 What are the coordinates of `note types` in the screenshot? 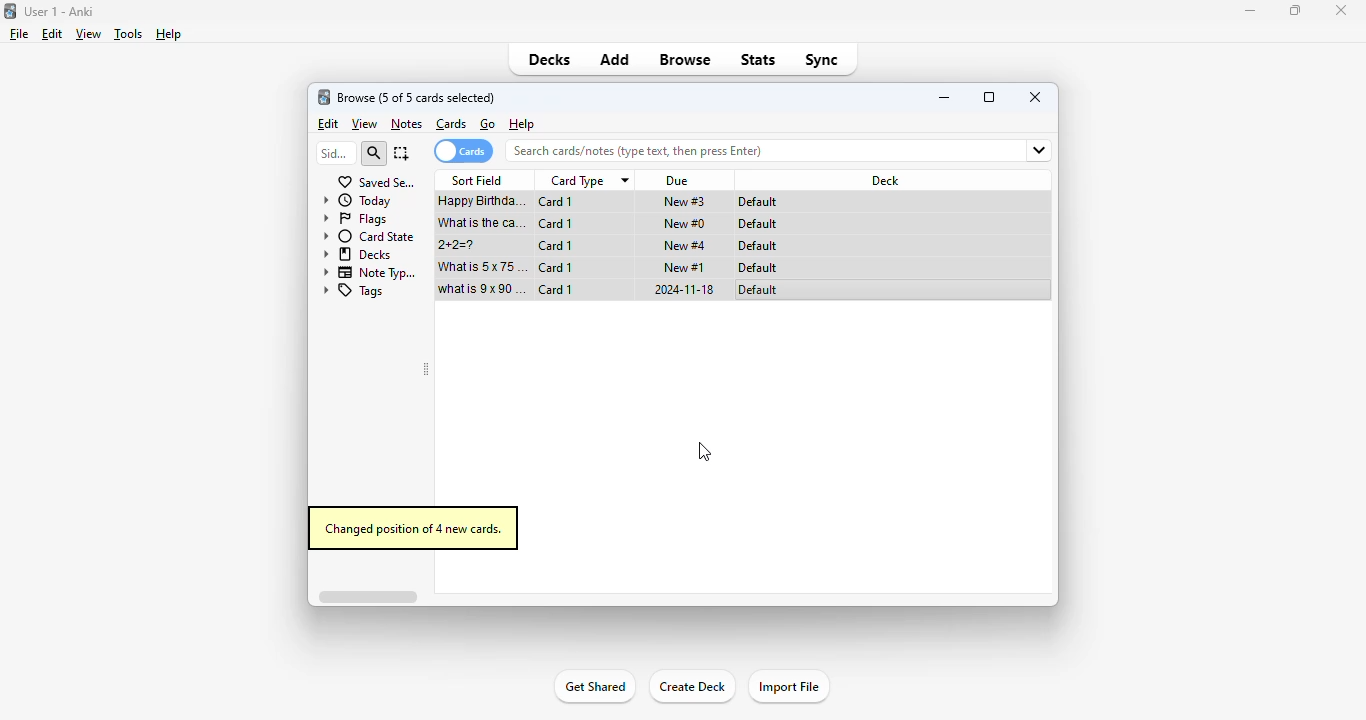 It's located at (371, 273).